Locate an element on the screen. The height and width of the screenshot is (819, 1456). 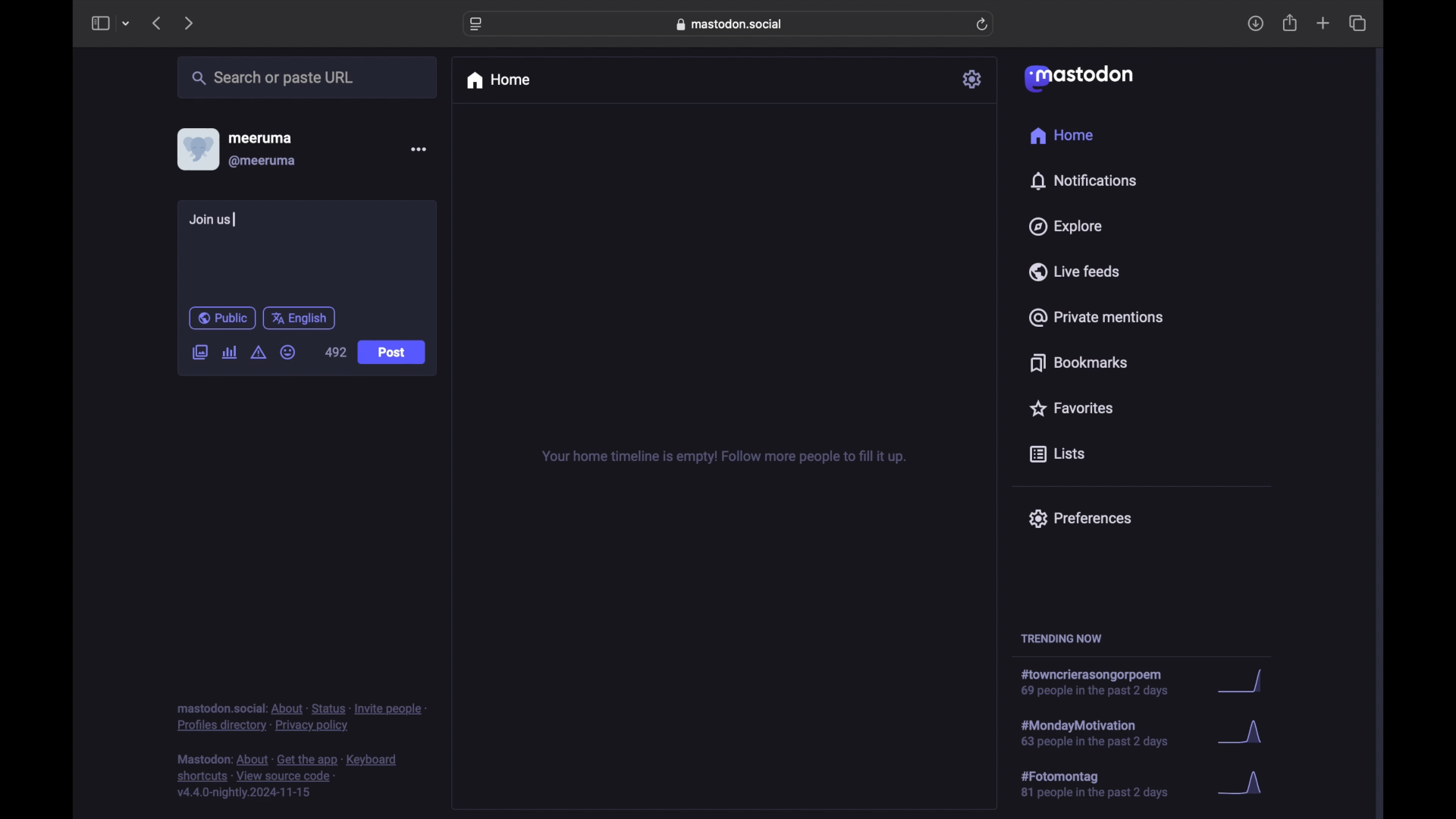
private mentions is located at coordinates (1097, 317).